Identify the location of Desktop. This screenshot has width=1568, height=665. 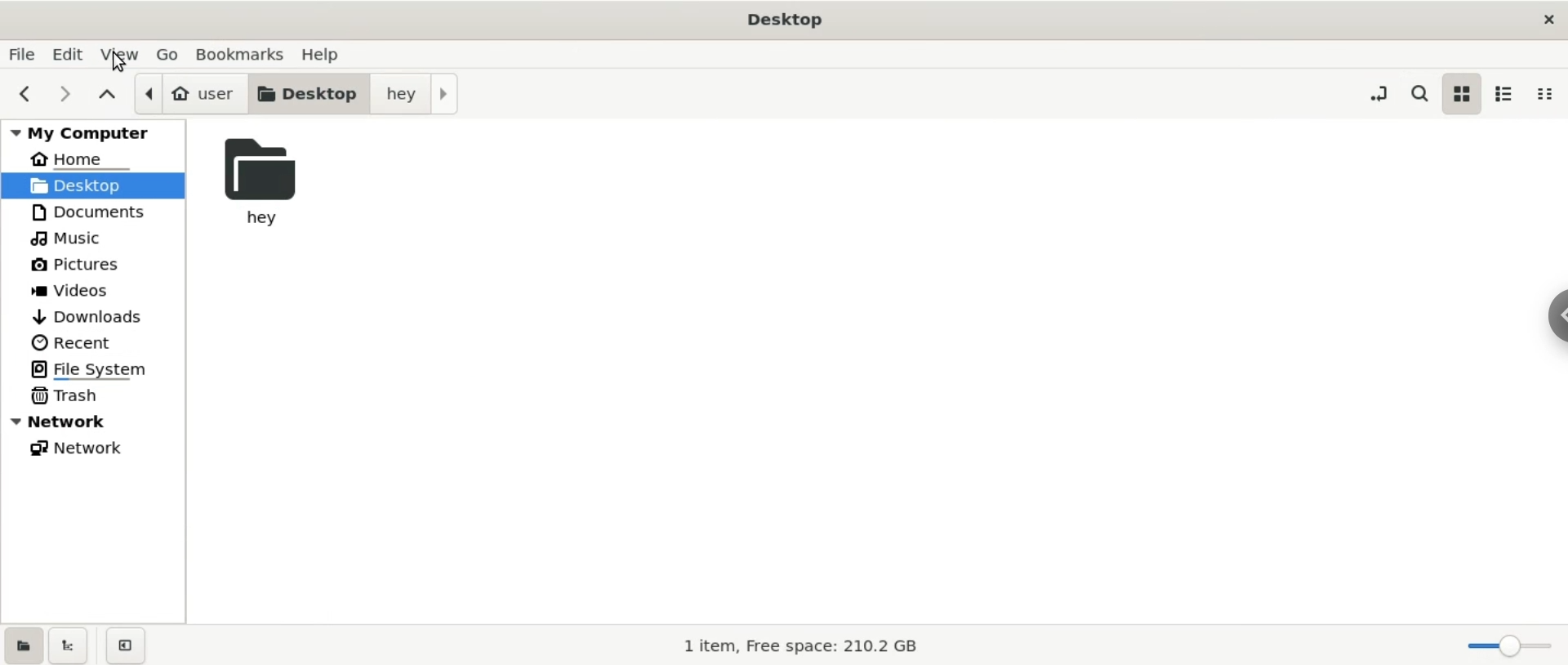
(785, 19).